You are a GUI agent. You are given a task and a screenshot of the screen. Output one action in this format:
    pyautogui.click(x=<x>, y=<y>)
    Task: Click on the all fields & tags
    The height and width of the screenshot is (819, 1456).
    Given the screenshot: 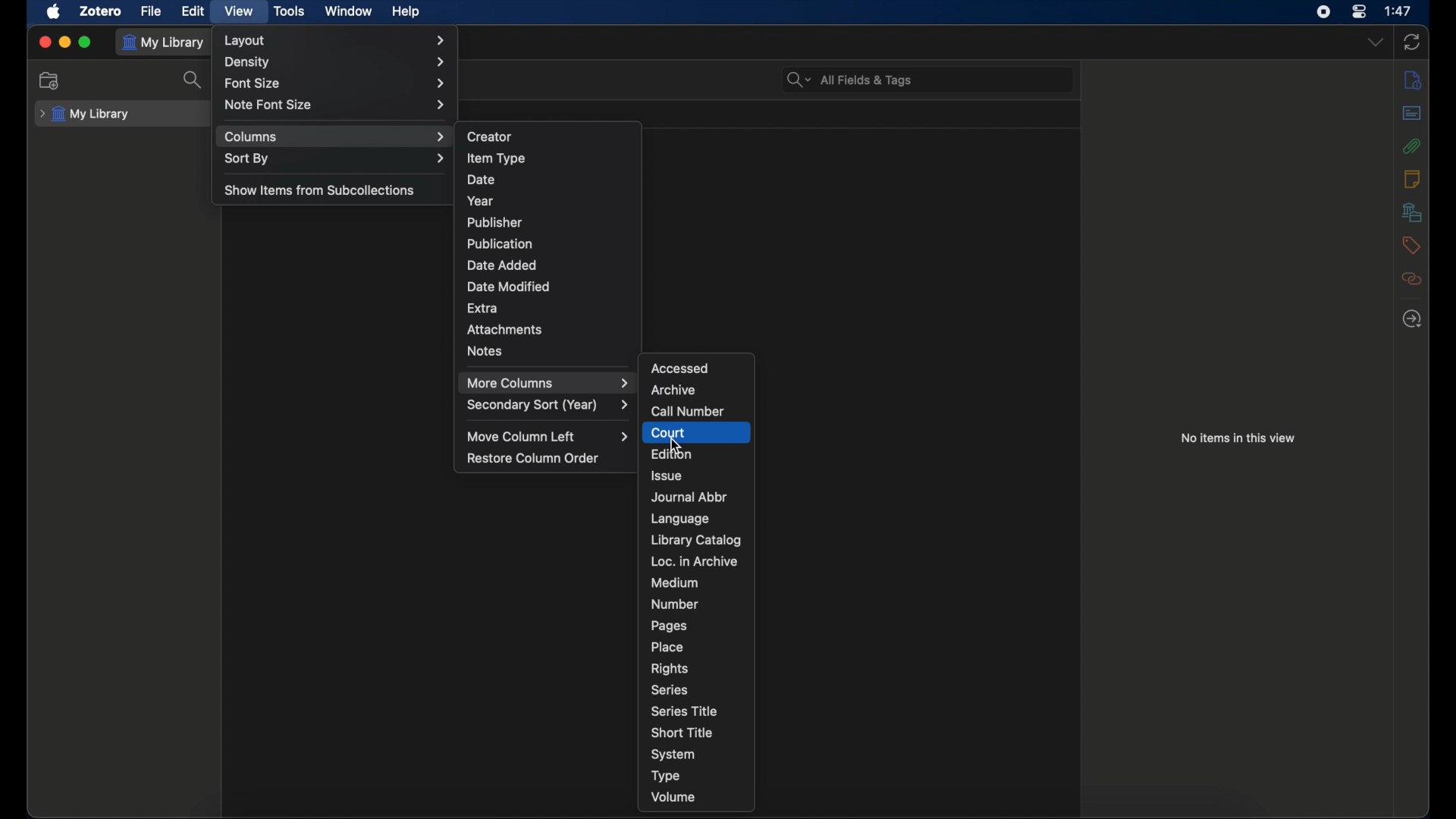 What is the action you would take?
    pyautogui.click(x=849, y=80)
    